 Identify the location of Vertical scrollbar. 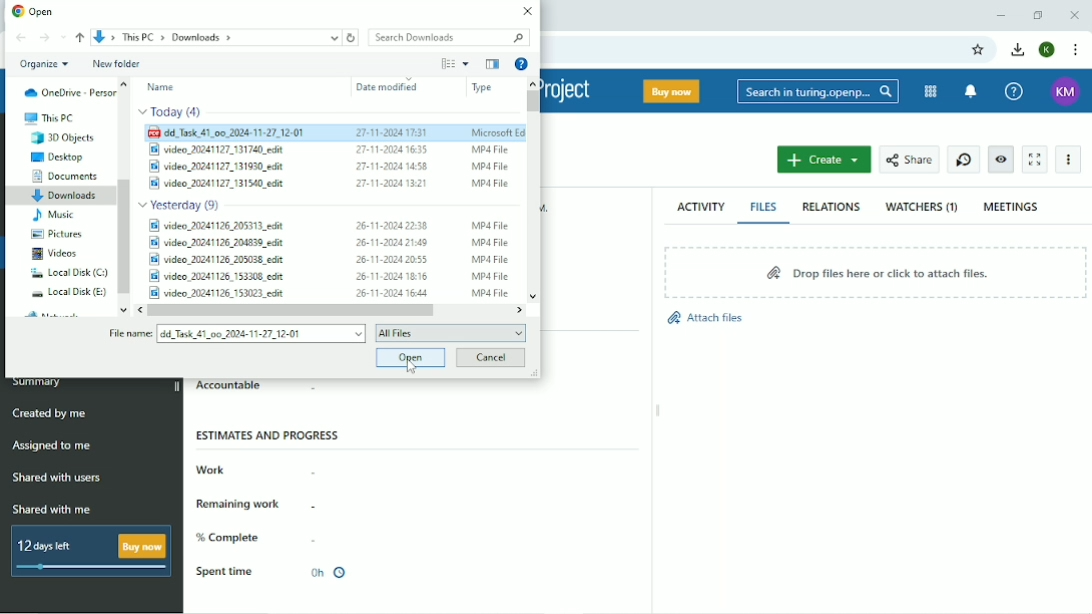
(532, 101).